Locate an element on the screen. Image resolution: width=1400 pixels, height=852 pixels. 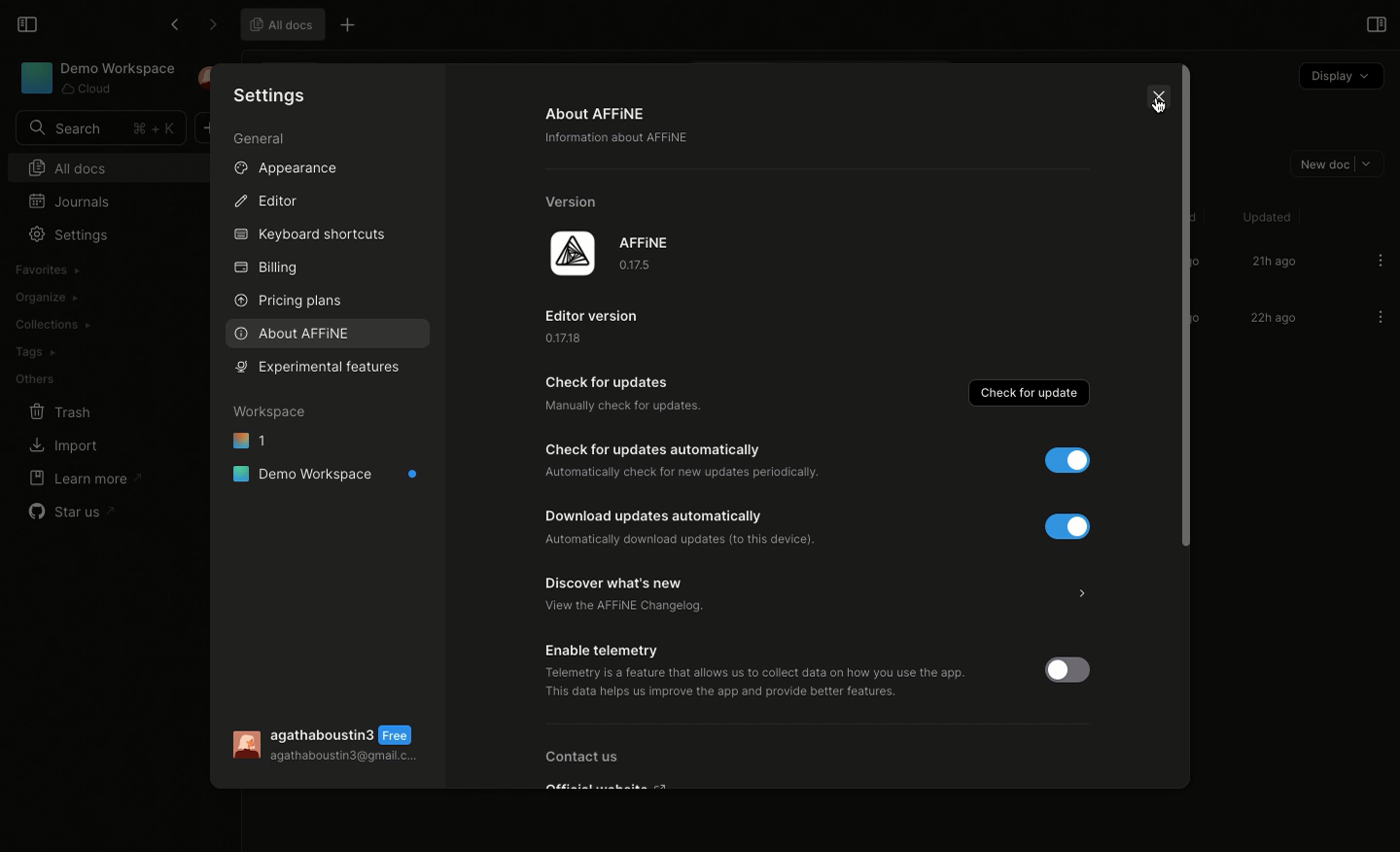
Tags is located at coordinates (34, 352).